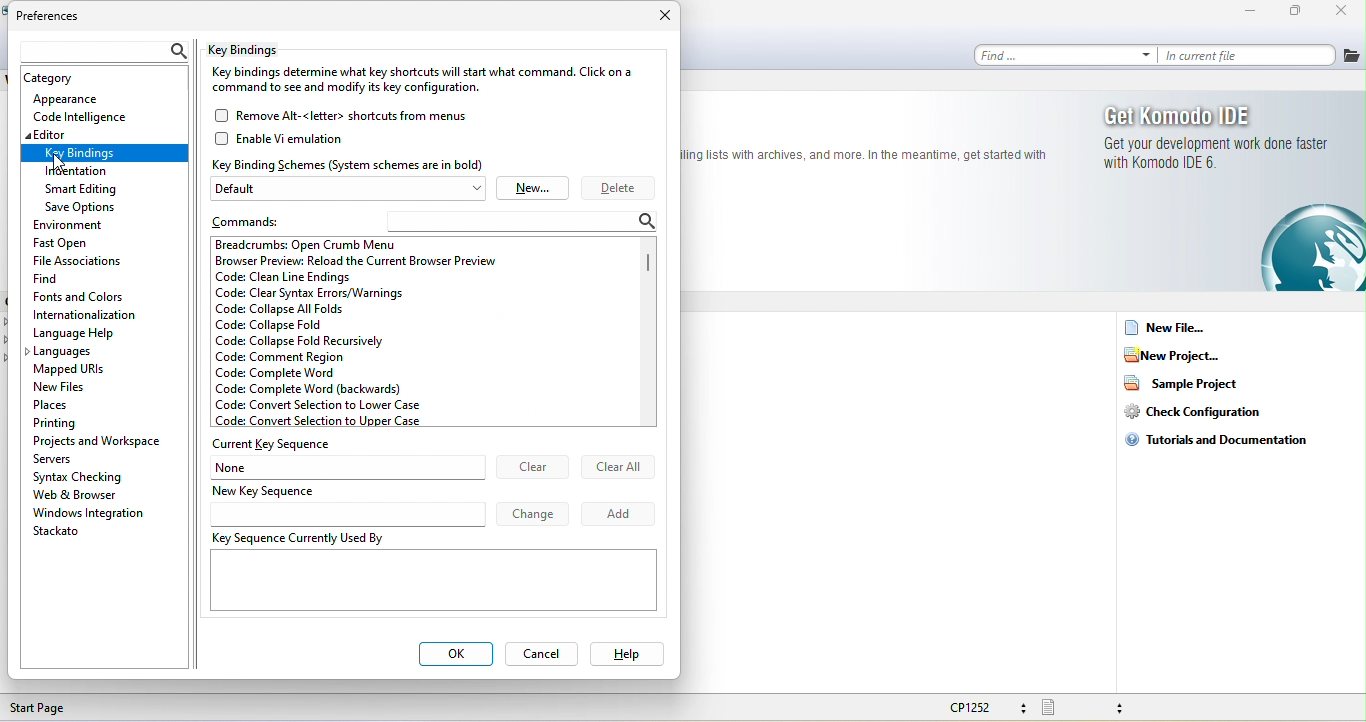 The width and height of the screenshot is (1366, 722). I want to click on search bar, so click(526, 222).